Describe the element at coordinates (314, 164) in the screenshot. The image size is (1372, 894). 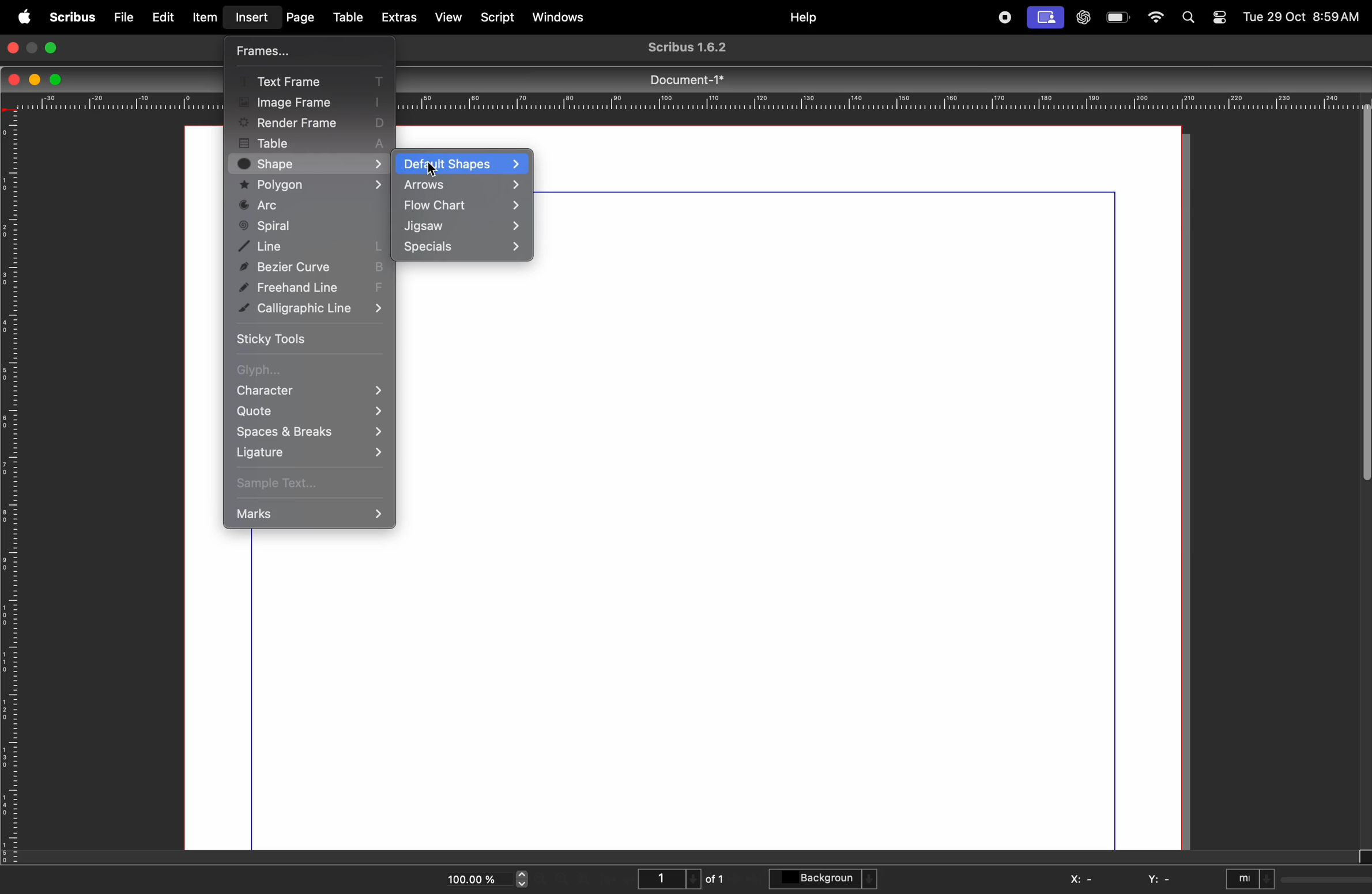
I see `shape` at that location.